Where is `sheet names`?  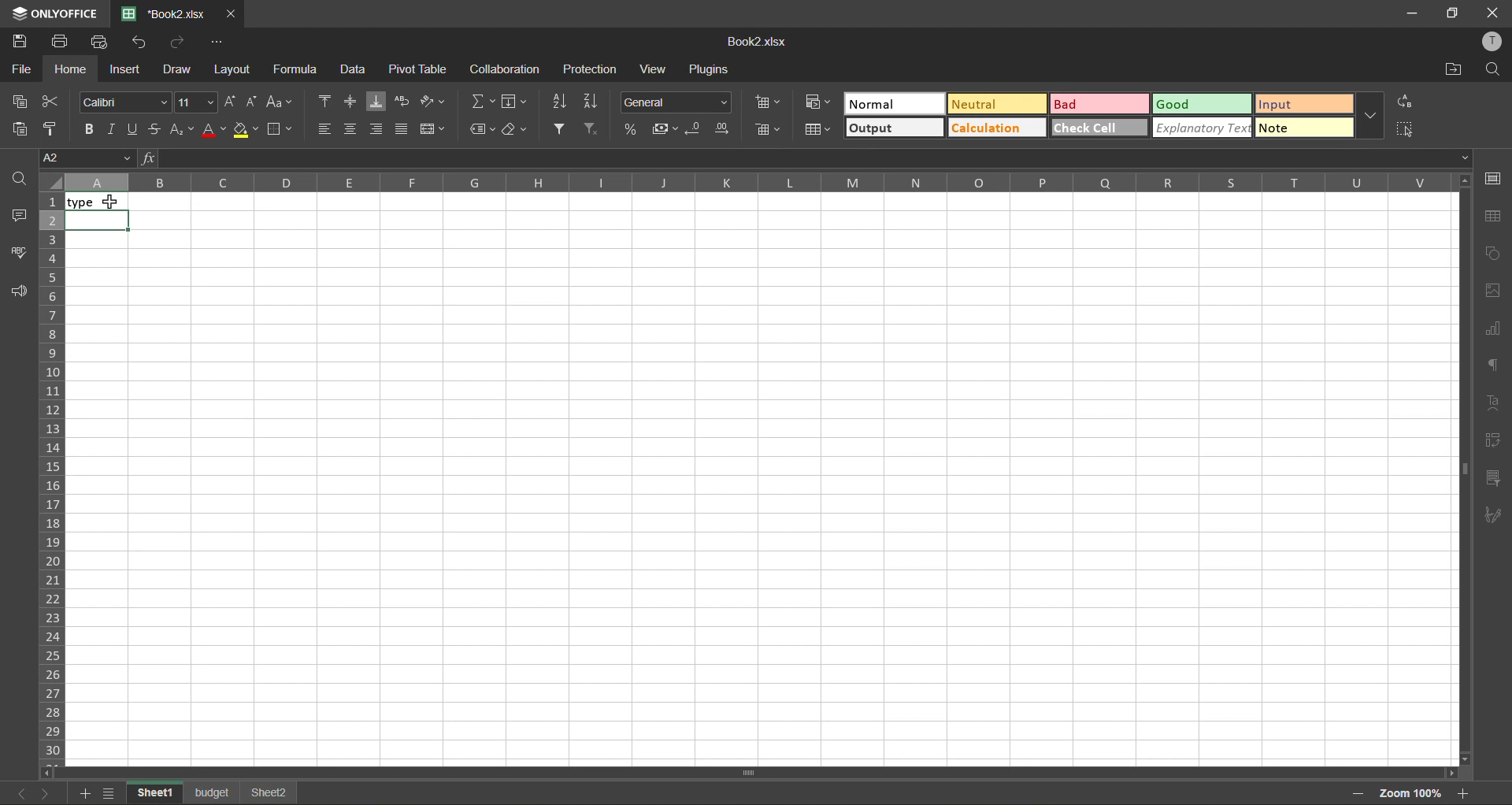 sheet names is located at coordinates (216, 792).